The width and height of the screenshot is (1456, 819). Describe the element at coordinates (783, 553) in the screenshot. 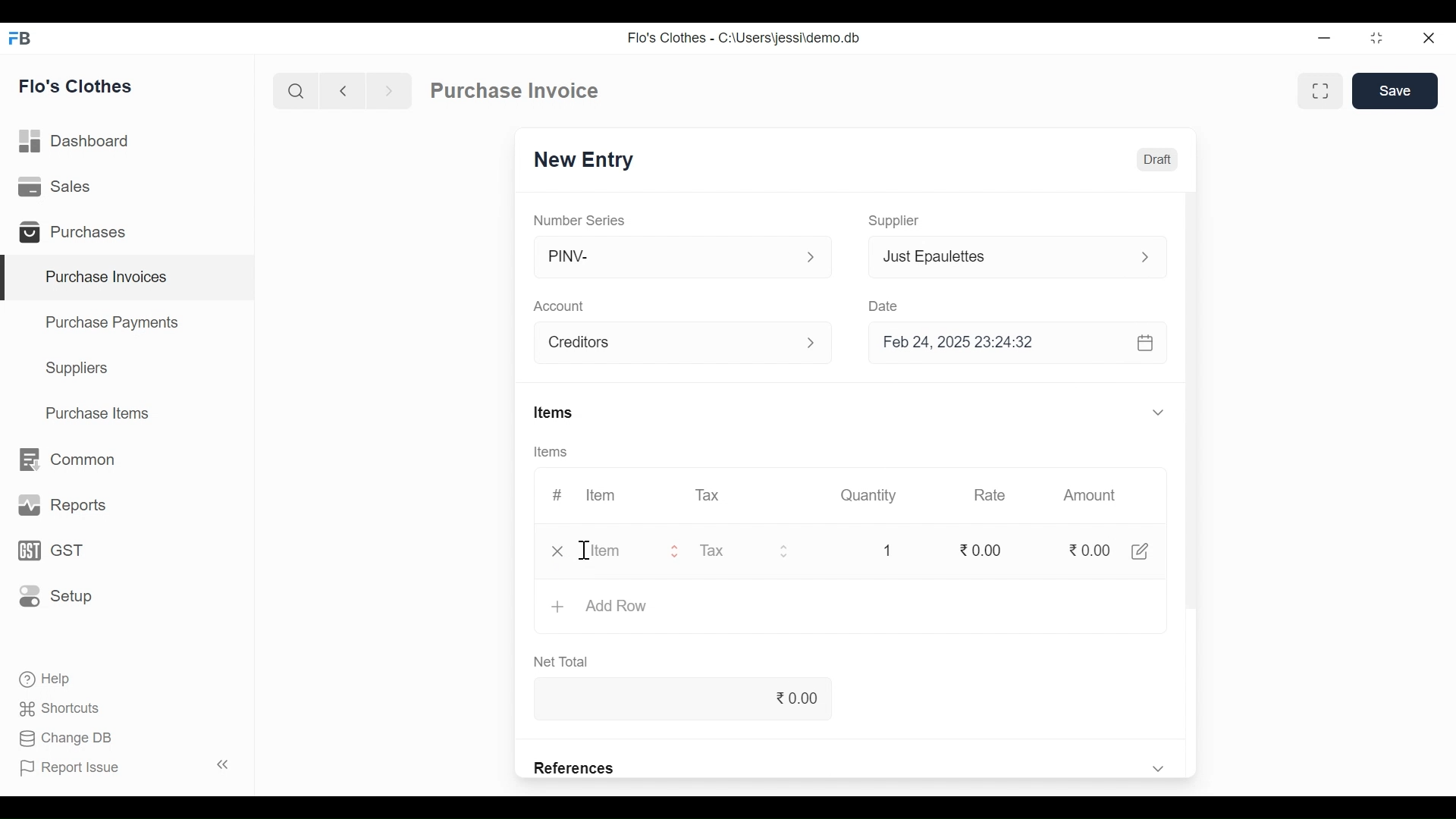

I see `Expand` at that location.